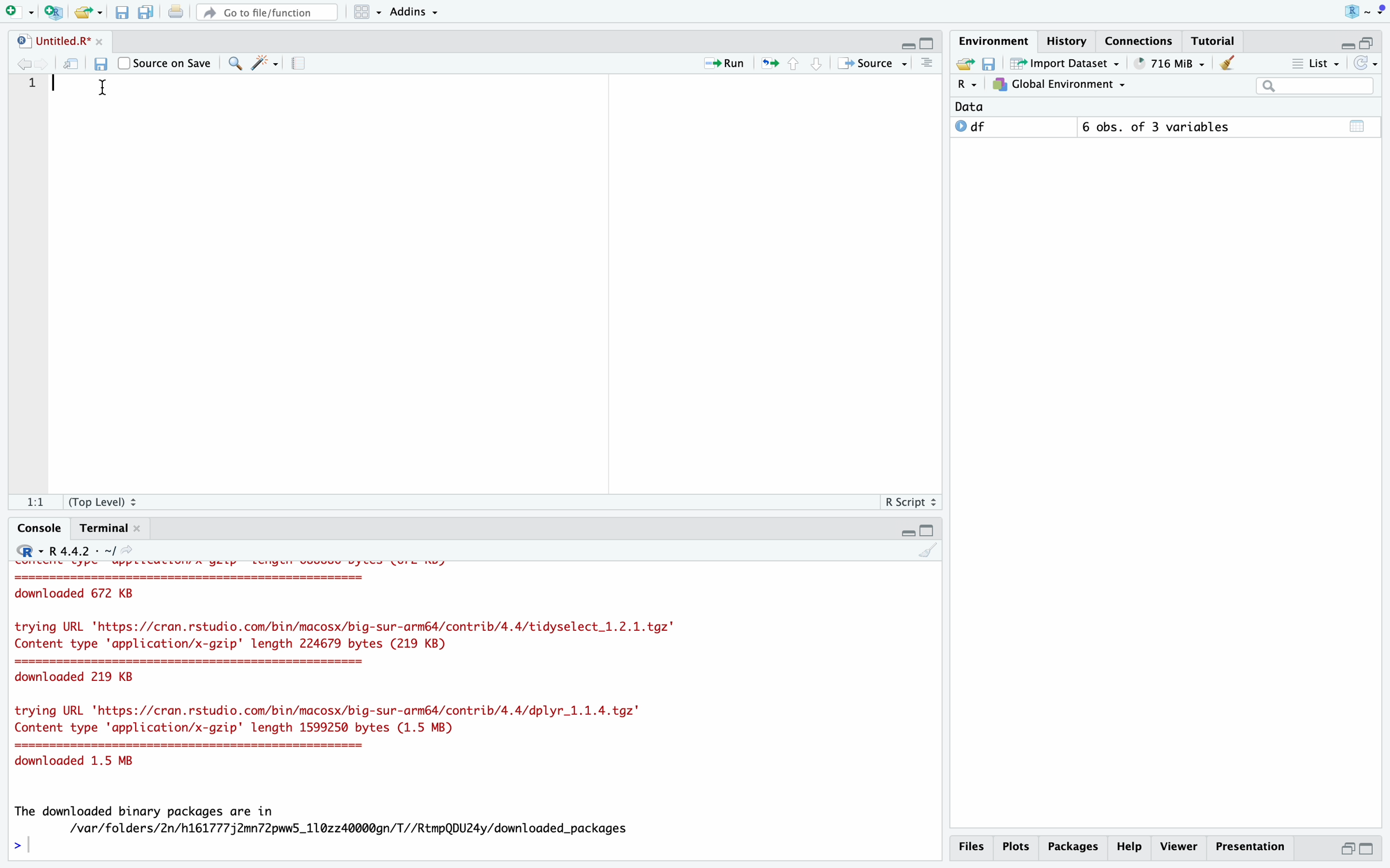  I want to click on Go to next section, so click(816, 63).